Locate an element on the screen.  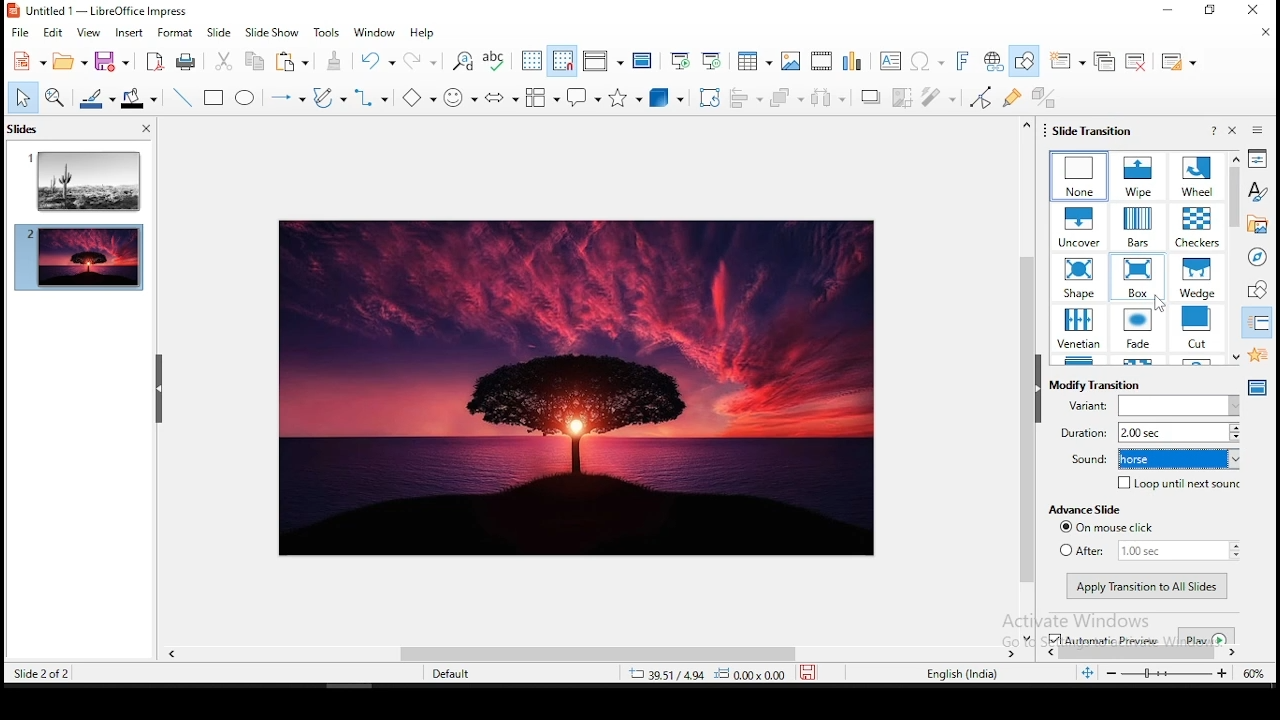
insert is located at coordinates (128, 32).